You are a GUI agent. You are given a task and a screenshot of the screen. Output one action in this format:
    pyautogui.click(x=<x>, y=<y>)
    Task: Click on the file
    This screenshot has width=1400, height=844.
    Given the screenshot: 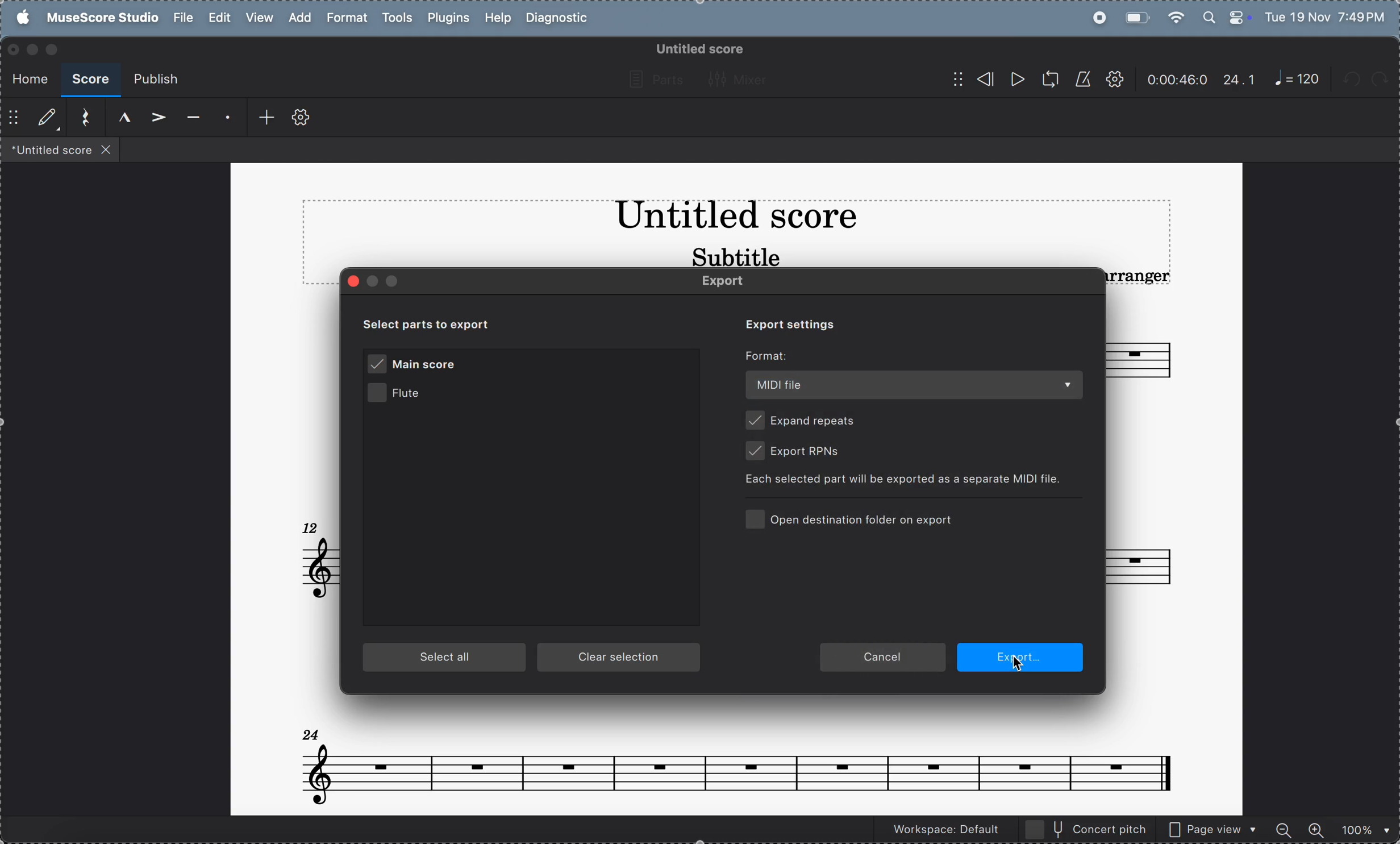 What is the action you would take?
    pyautogui.click(x=183, y=18)
    